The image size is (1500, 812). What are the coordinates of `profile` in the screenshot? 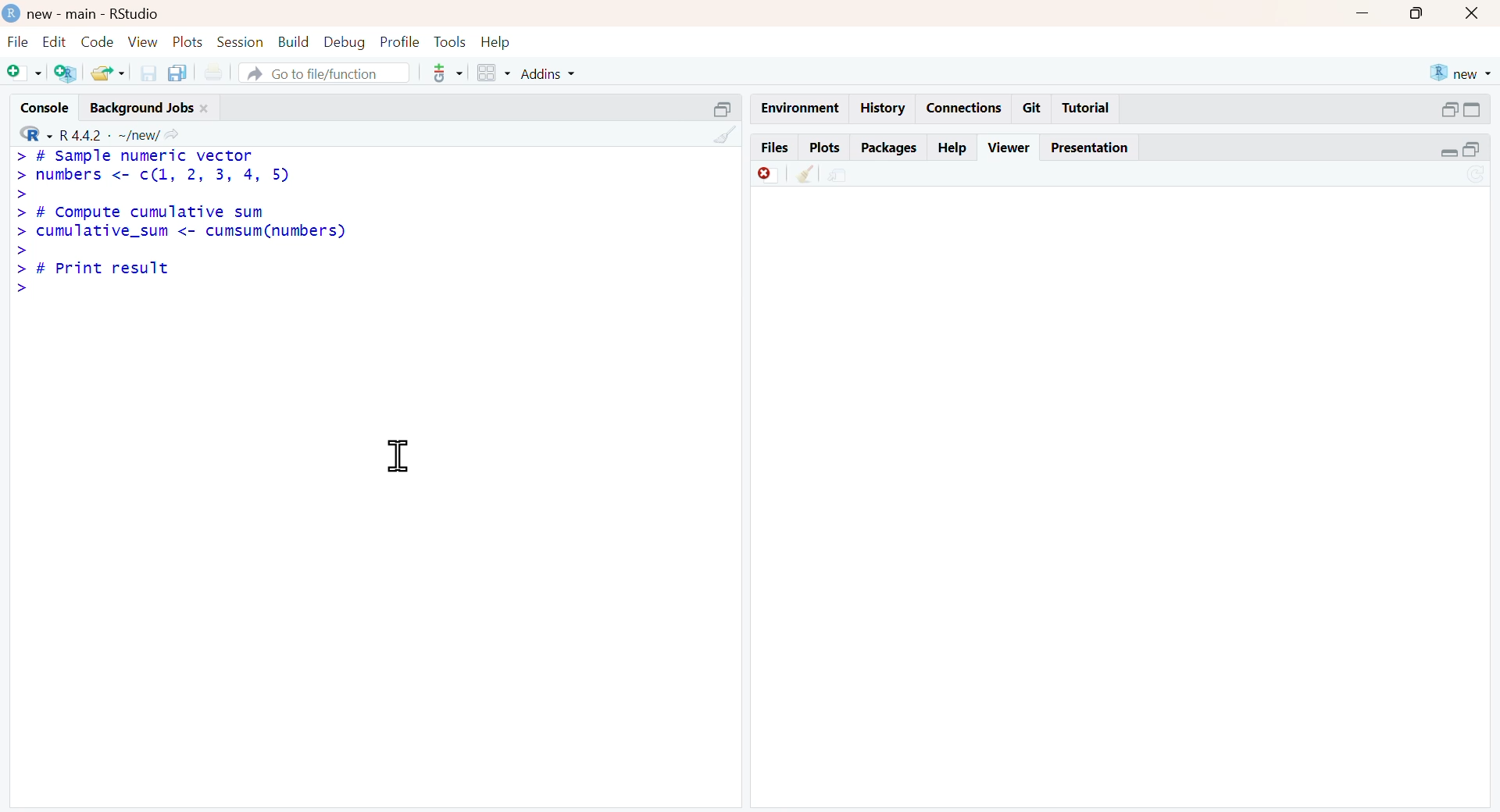 It's located at (402, 41).